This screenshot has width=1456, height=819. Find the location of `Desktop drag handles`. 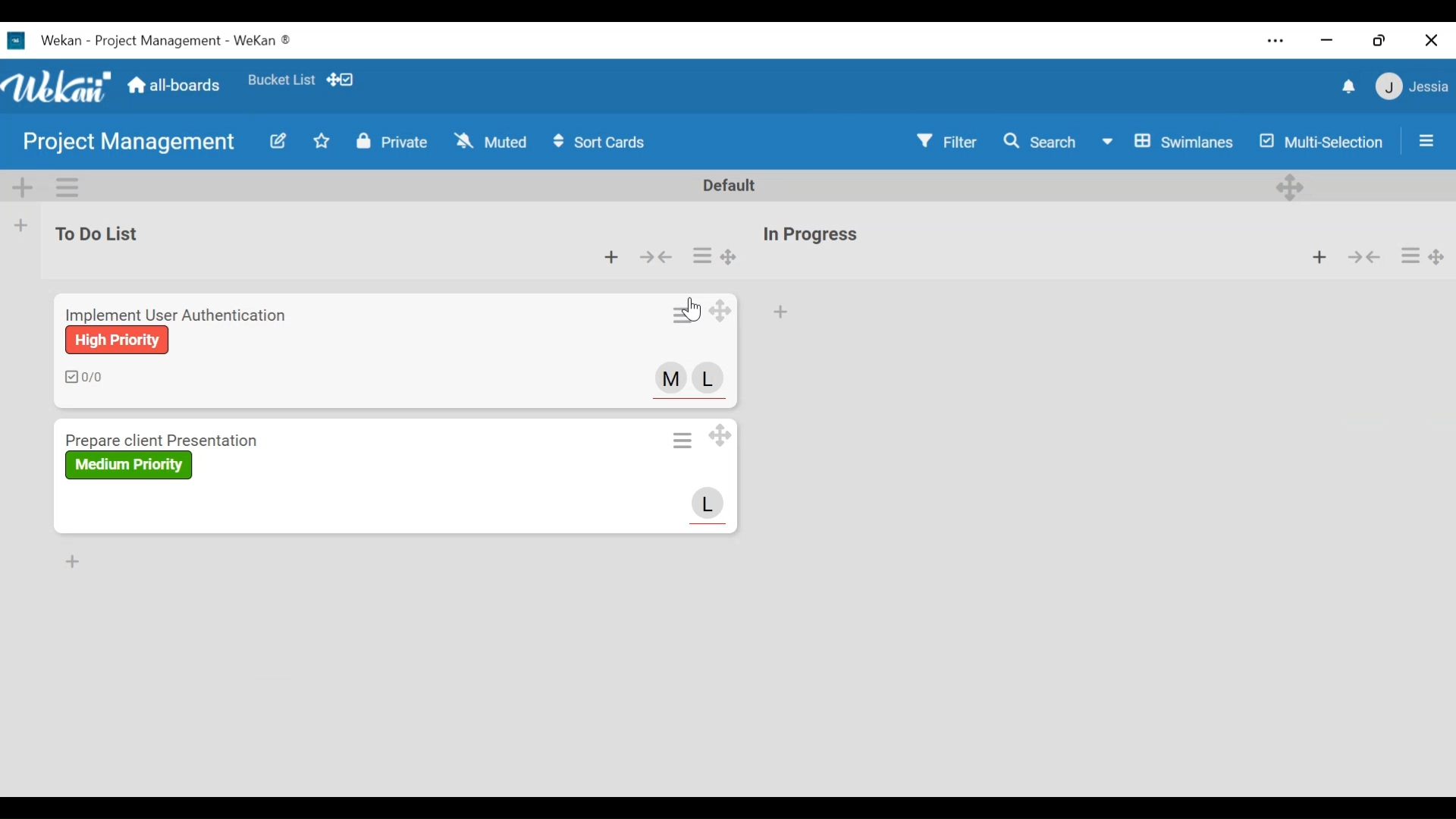

Desktop drag handles is located at coordinates (1436, 256).